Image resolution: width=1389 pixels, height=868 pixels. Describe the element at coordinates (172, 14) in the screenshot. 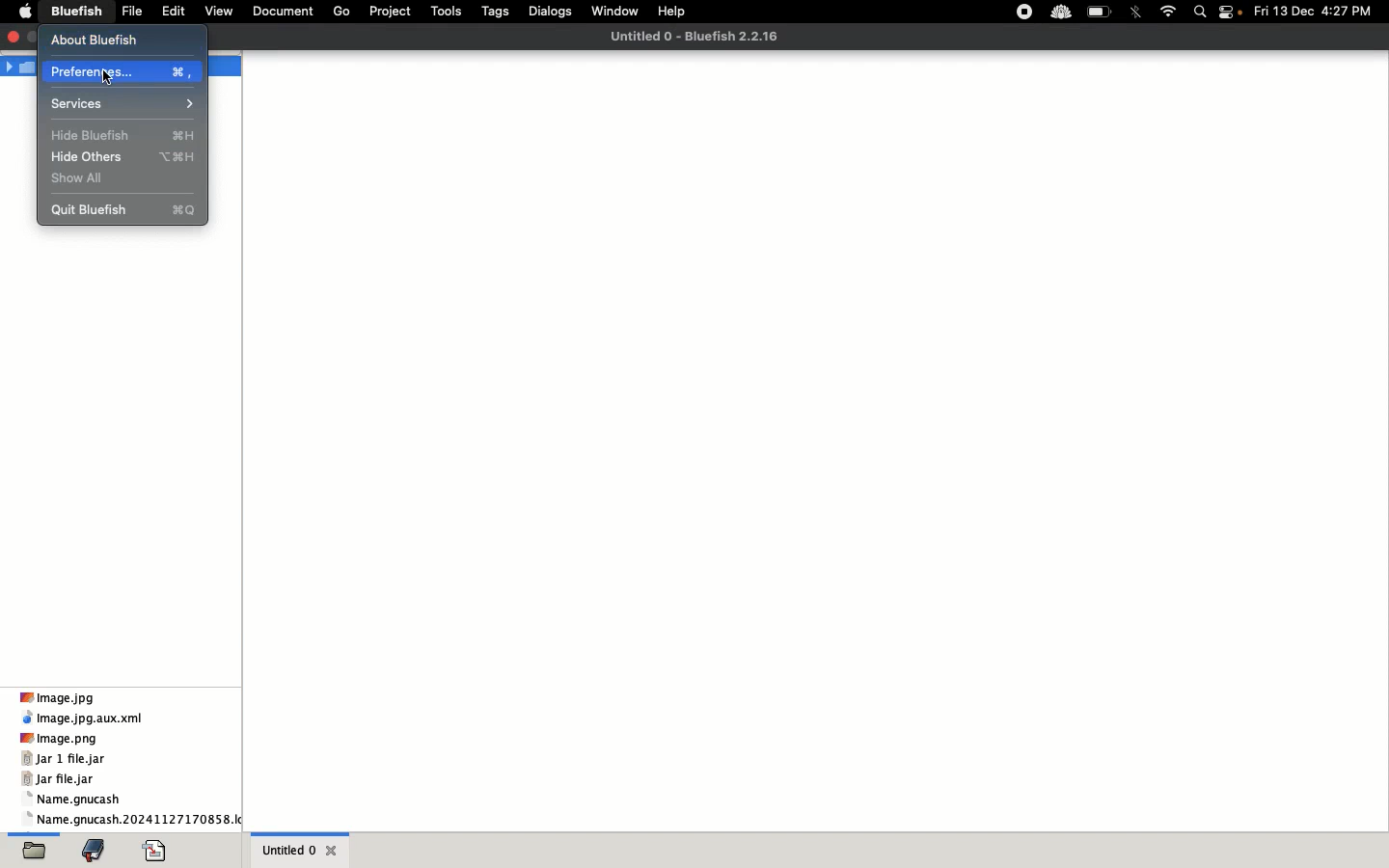

I see `Edit` at that location.